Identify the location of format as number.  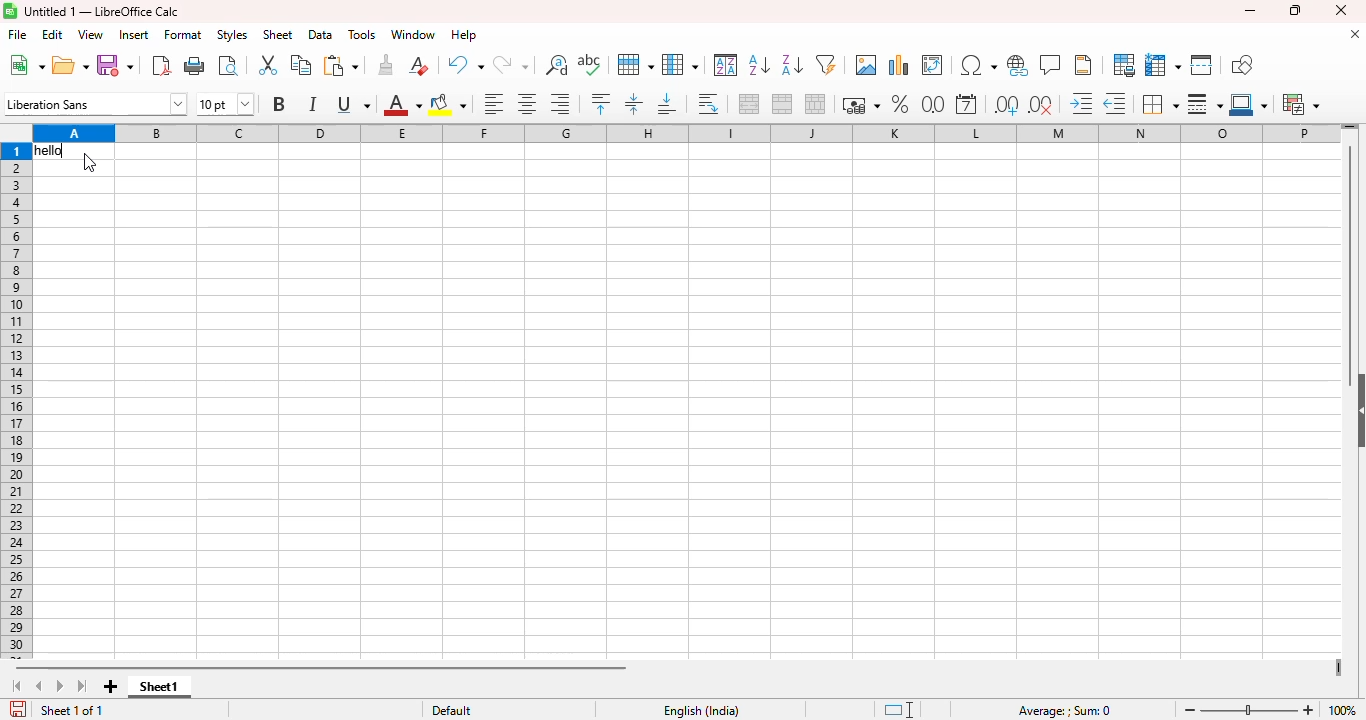
(934, 105).